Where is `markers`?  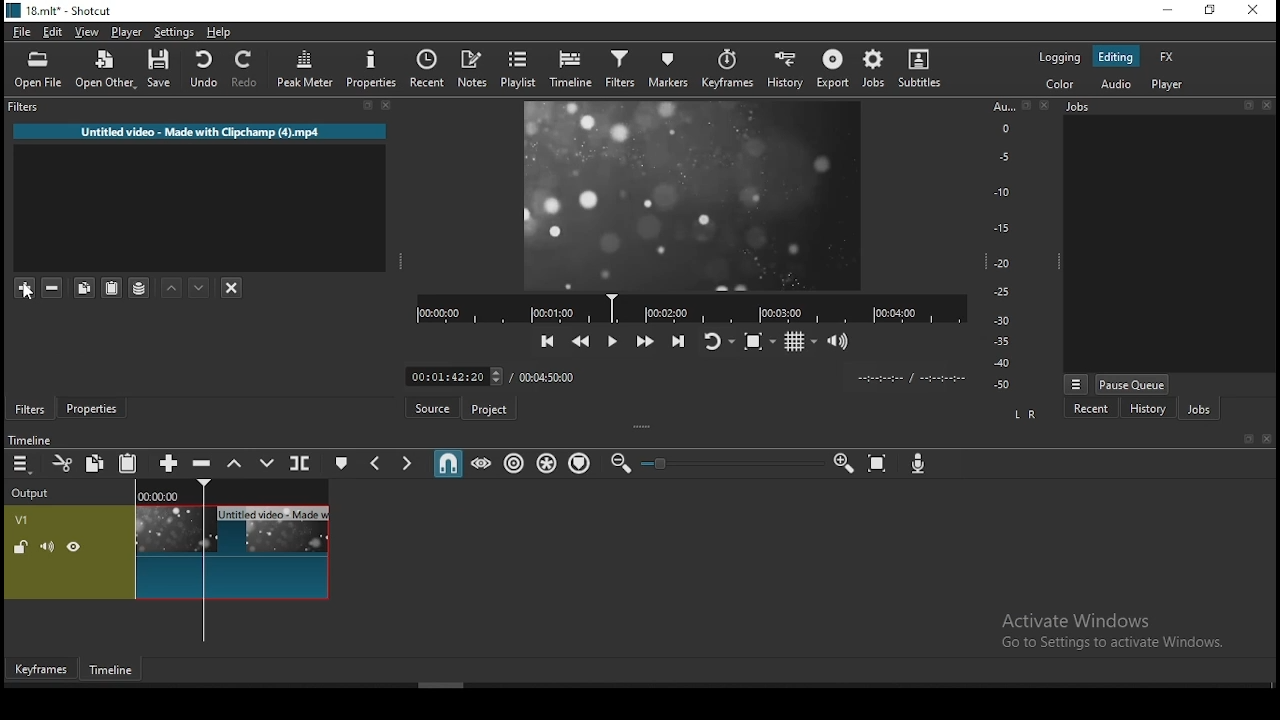 markers is located at coordinates (664, 70).